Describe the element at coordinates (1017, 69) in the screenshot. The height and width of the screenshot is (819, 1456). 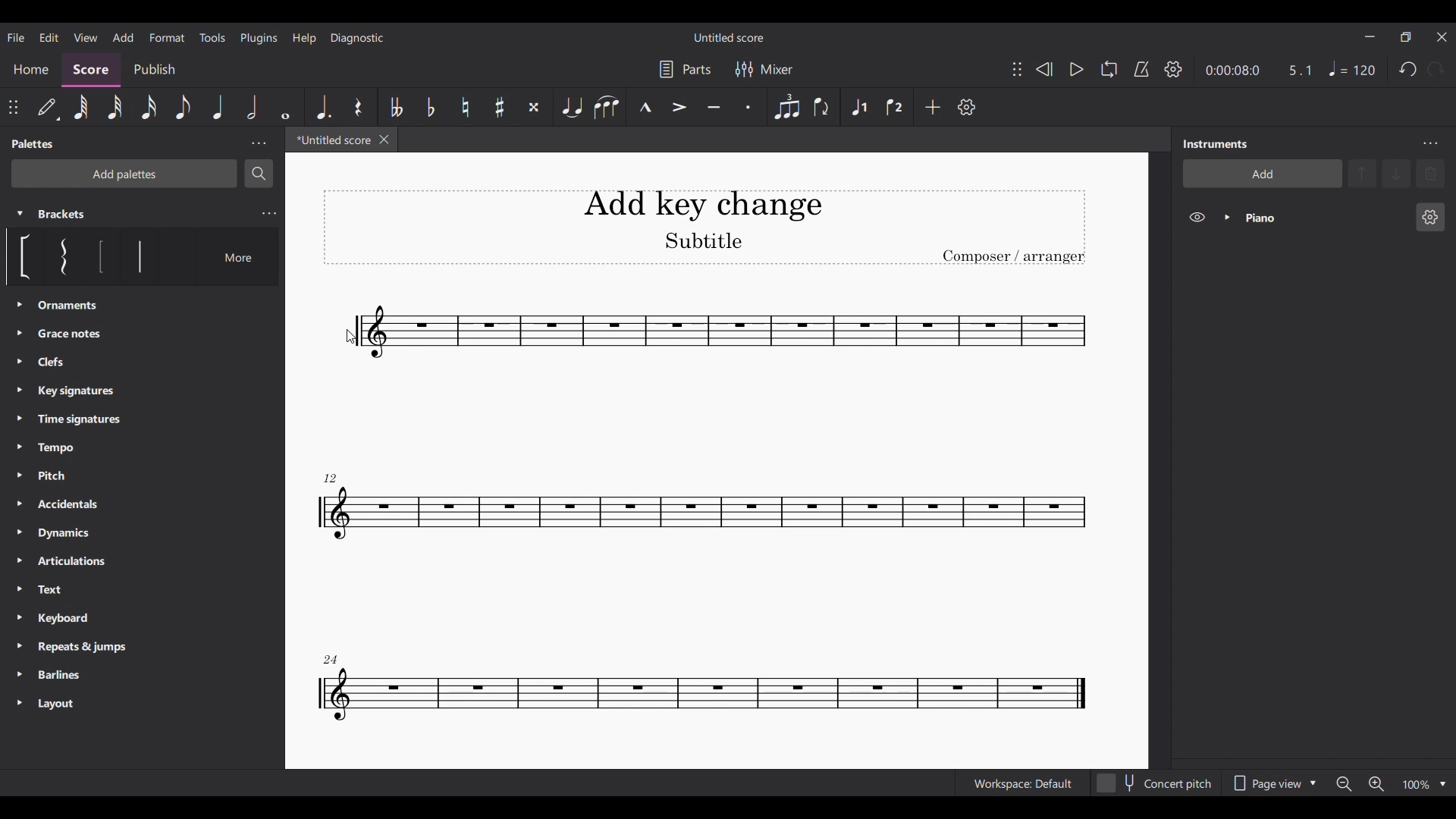
I see `Change position of toolbar attached` at that location.